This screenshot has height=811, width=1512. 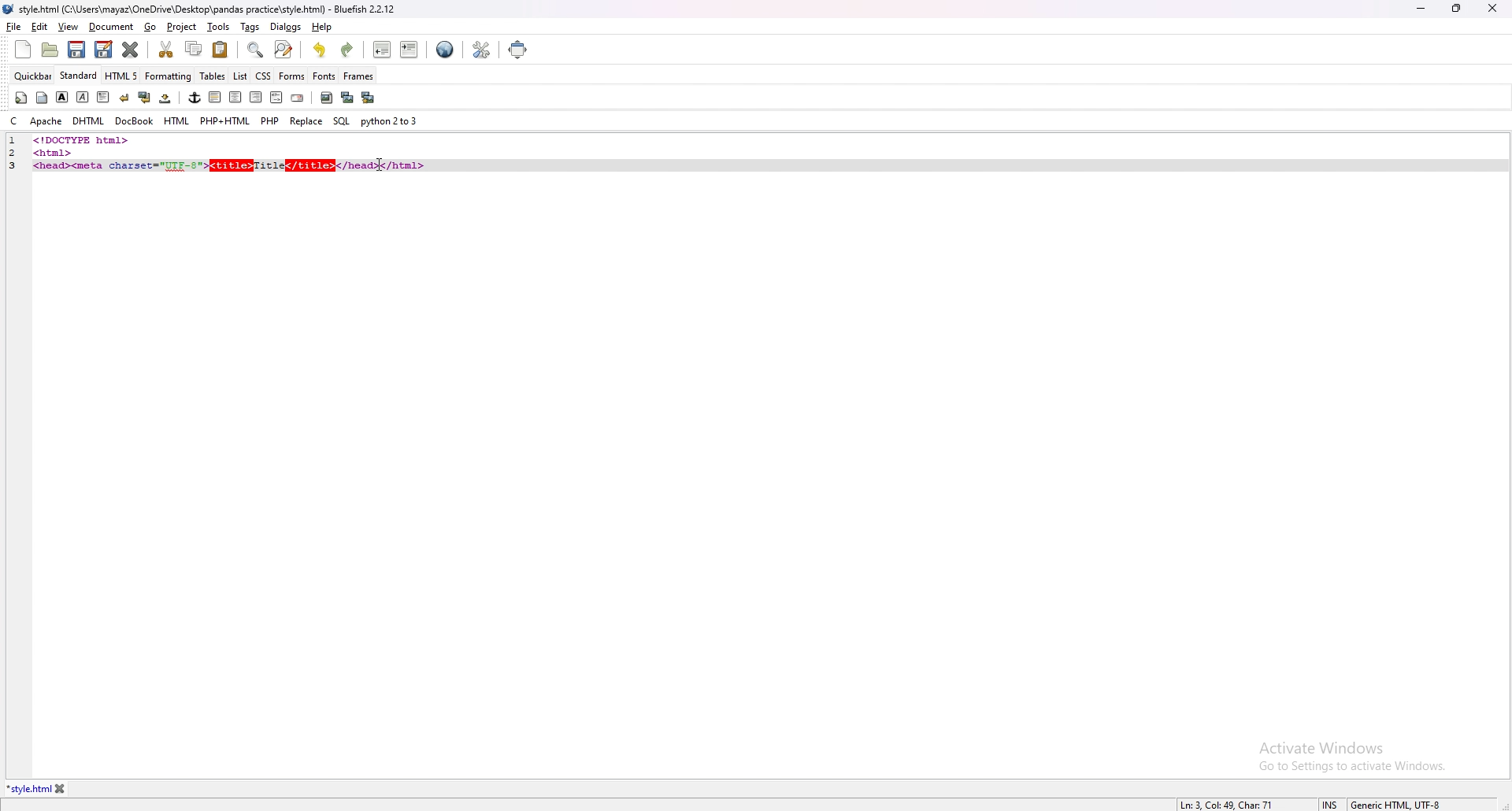 What do you see at coordinates (367, 97) in the screenshot?
I see `multi thumbnail` at bounding box center [367, 97].